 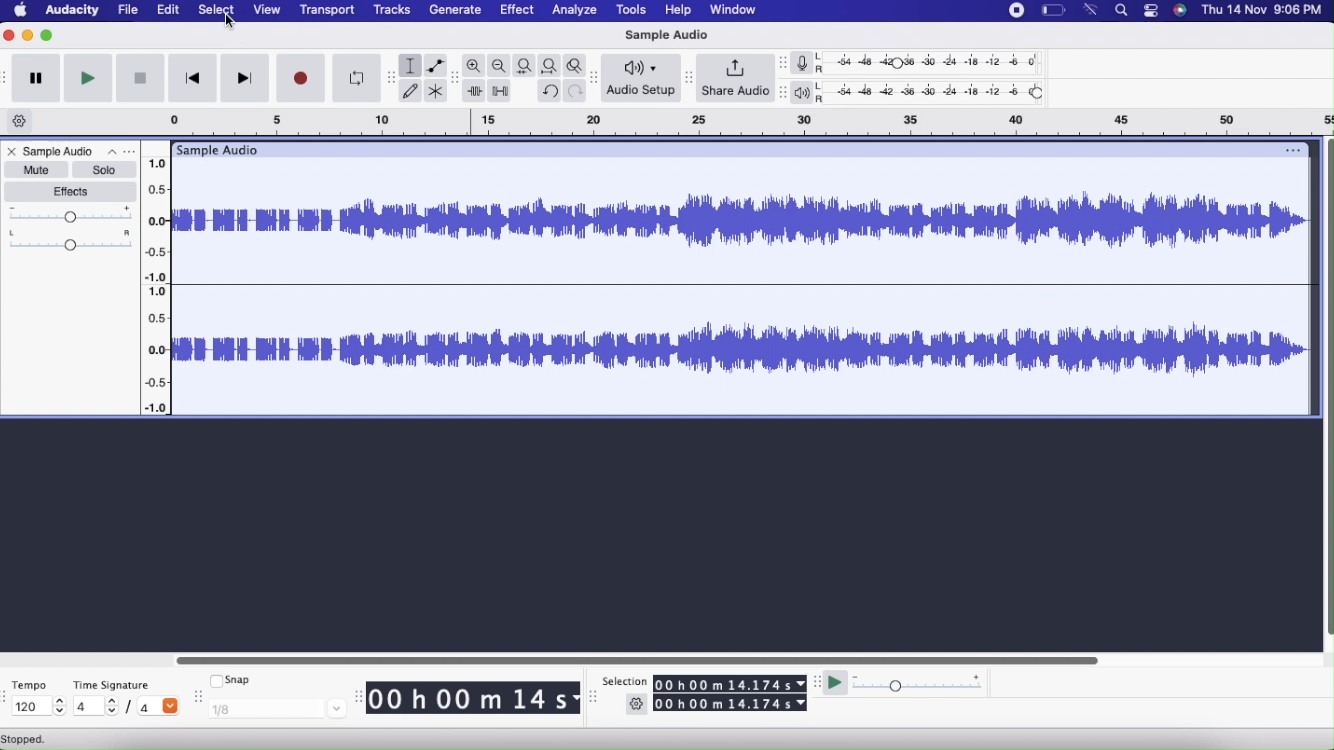 What do you see at coordinates (22, 121) in the screenshot?
I see `Timeline options` at bounding box center [22, 121].